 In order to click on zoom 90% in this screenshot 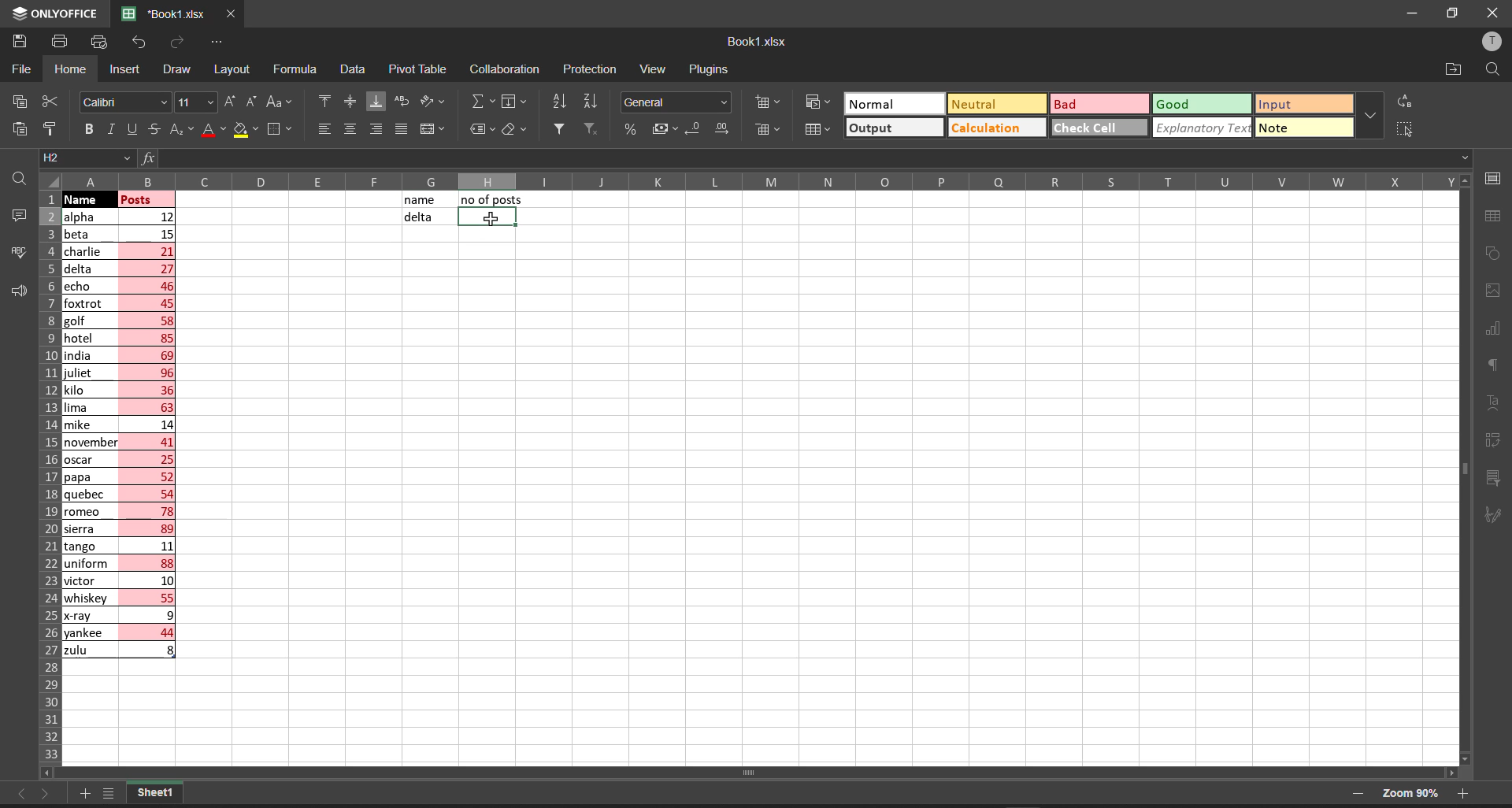, I will do `click(1409, 793)`.